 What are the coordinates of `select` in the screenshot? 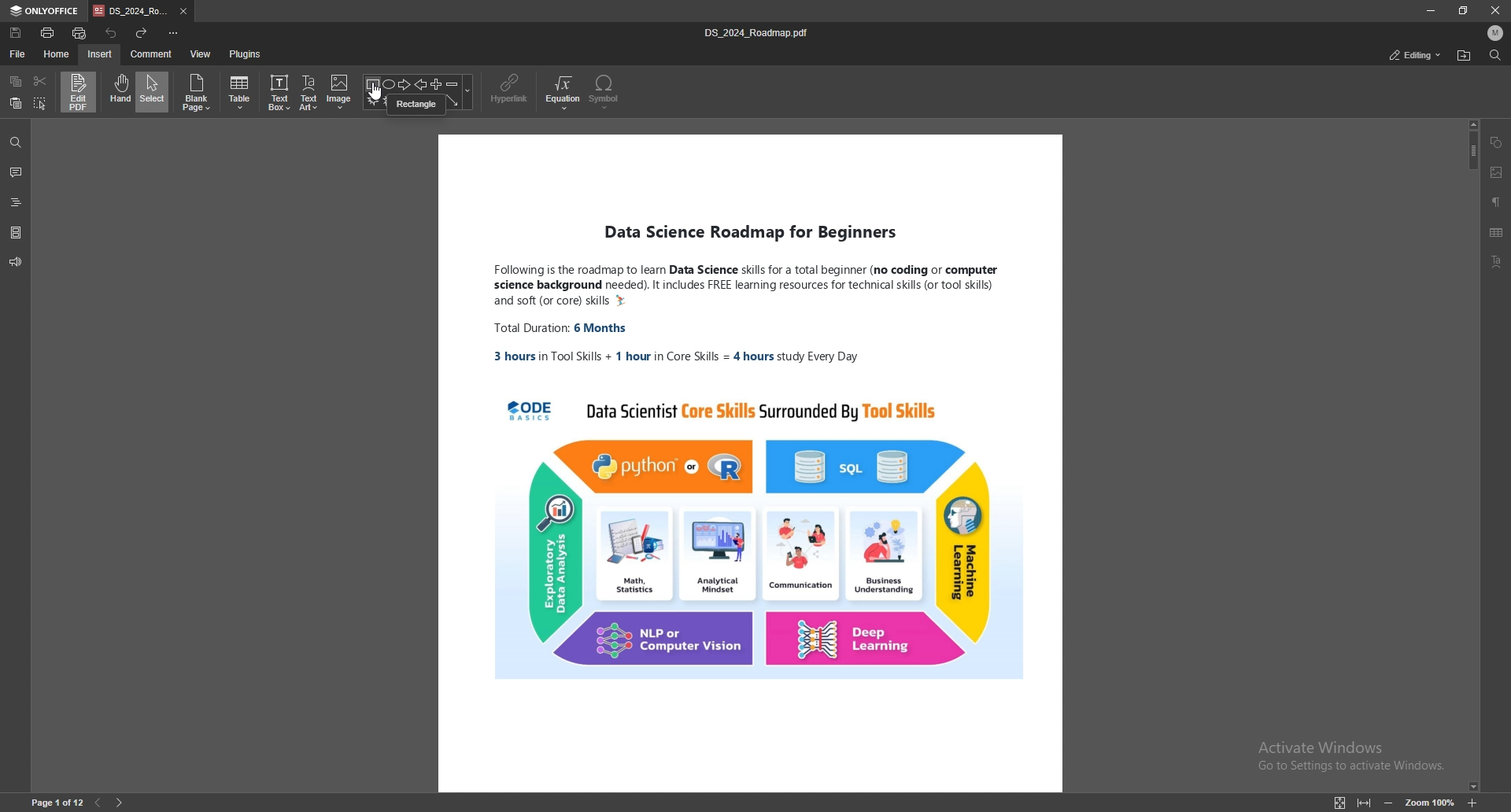 It's located at (41, 103).